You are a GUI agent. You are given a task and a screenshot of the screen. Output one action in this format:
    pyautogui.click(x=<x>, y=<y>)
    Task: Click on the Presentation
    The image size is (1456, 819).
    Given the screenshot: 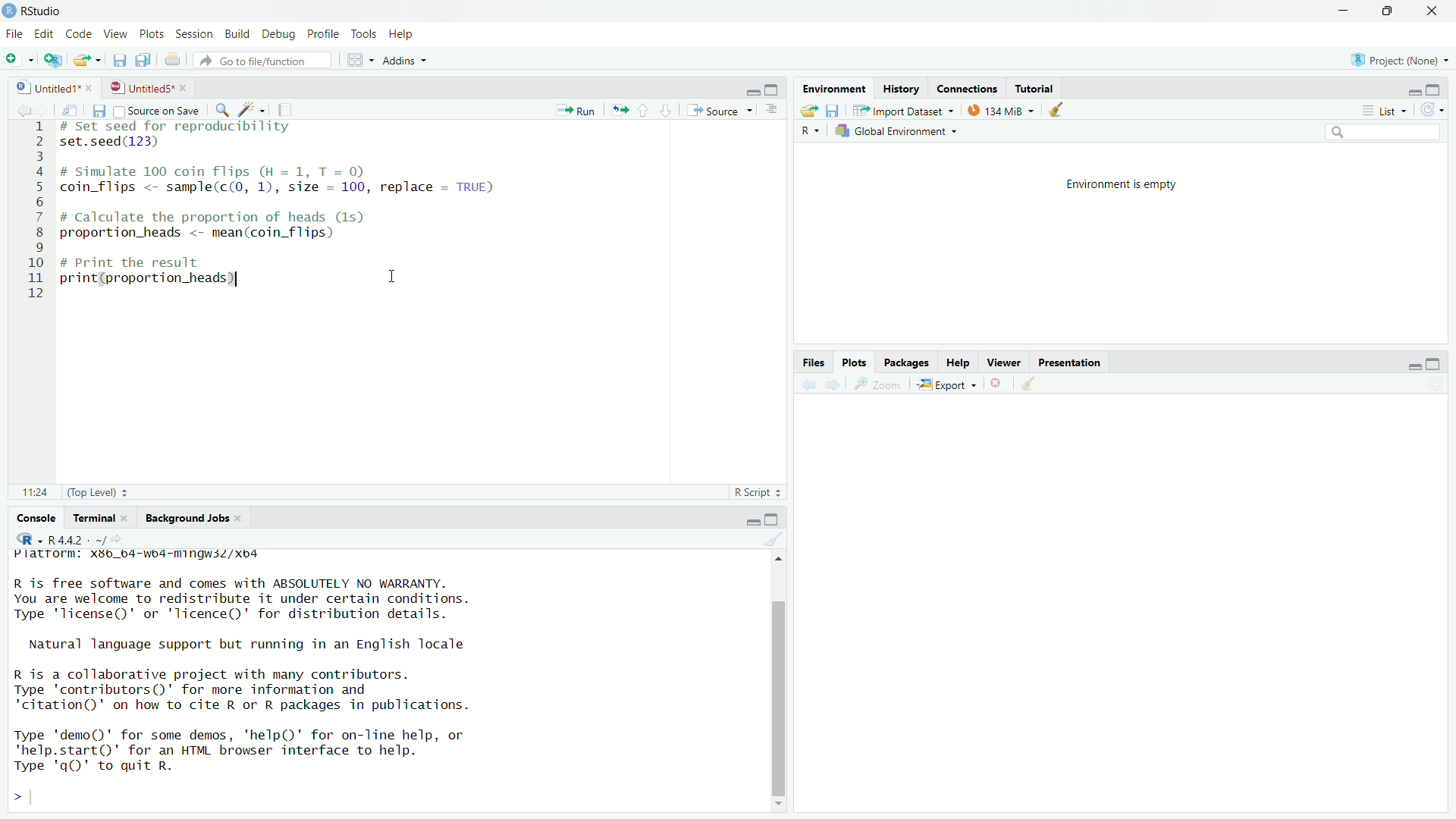 What is the action you would take?
    pyautogui.click(x=1072, y=362)
    